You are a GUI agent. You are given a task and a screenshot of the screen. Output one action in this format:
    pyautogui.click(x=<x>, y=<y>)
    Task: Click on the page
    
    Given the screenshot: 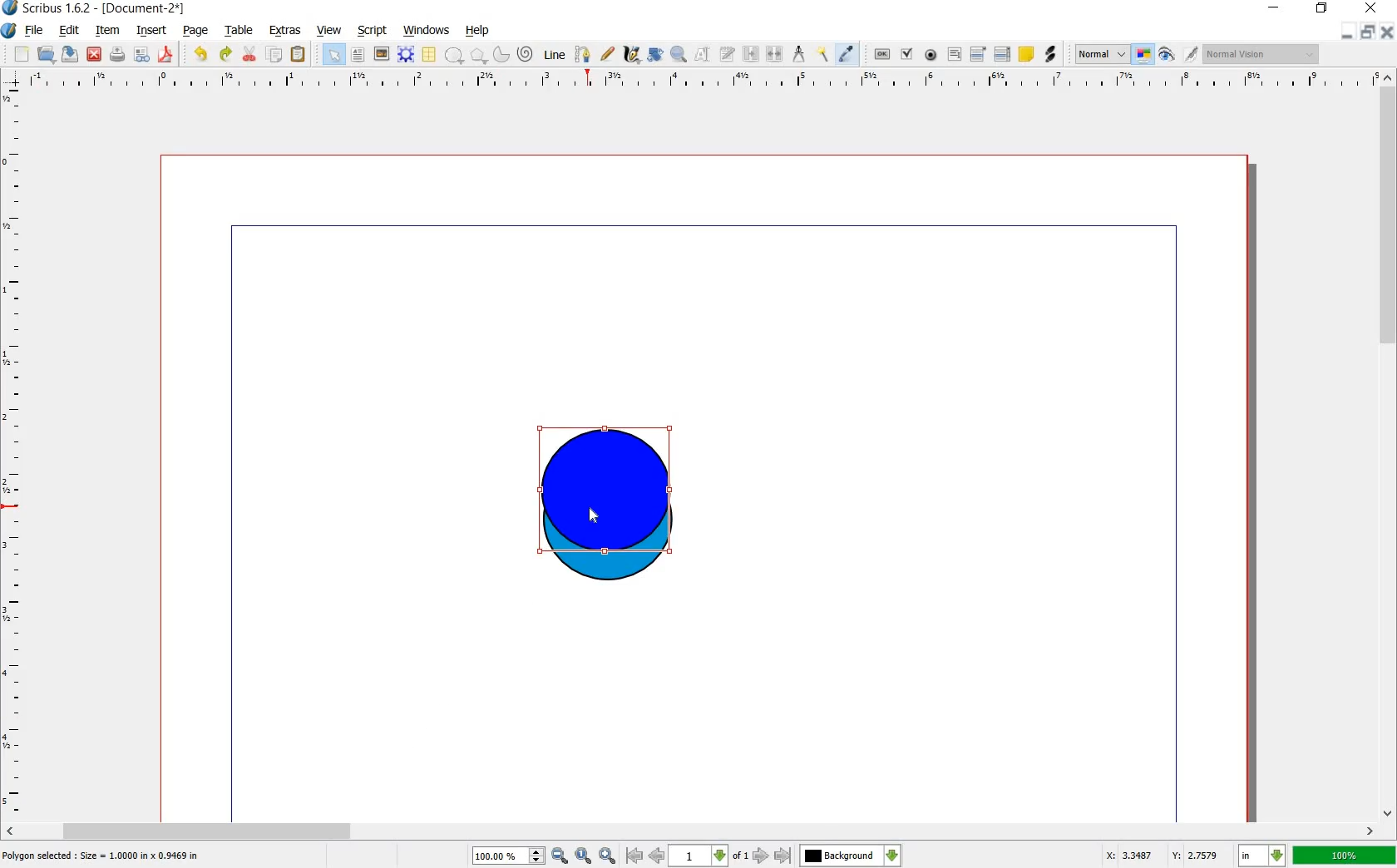 What is the action you would take?
    pyautogui.click(x=198, y=31)
    